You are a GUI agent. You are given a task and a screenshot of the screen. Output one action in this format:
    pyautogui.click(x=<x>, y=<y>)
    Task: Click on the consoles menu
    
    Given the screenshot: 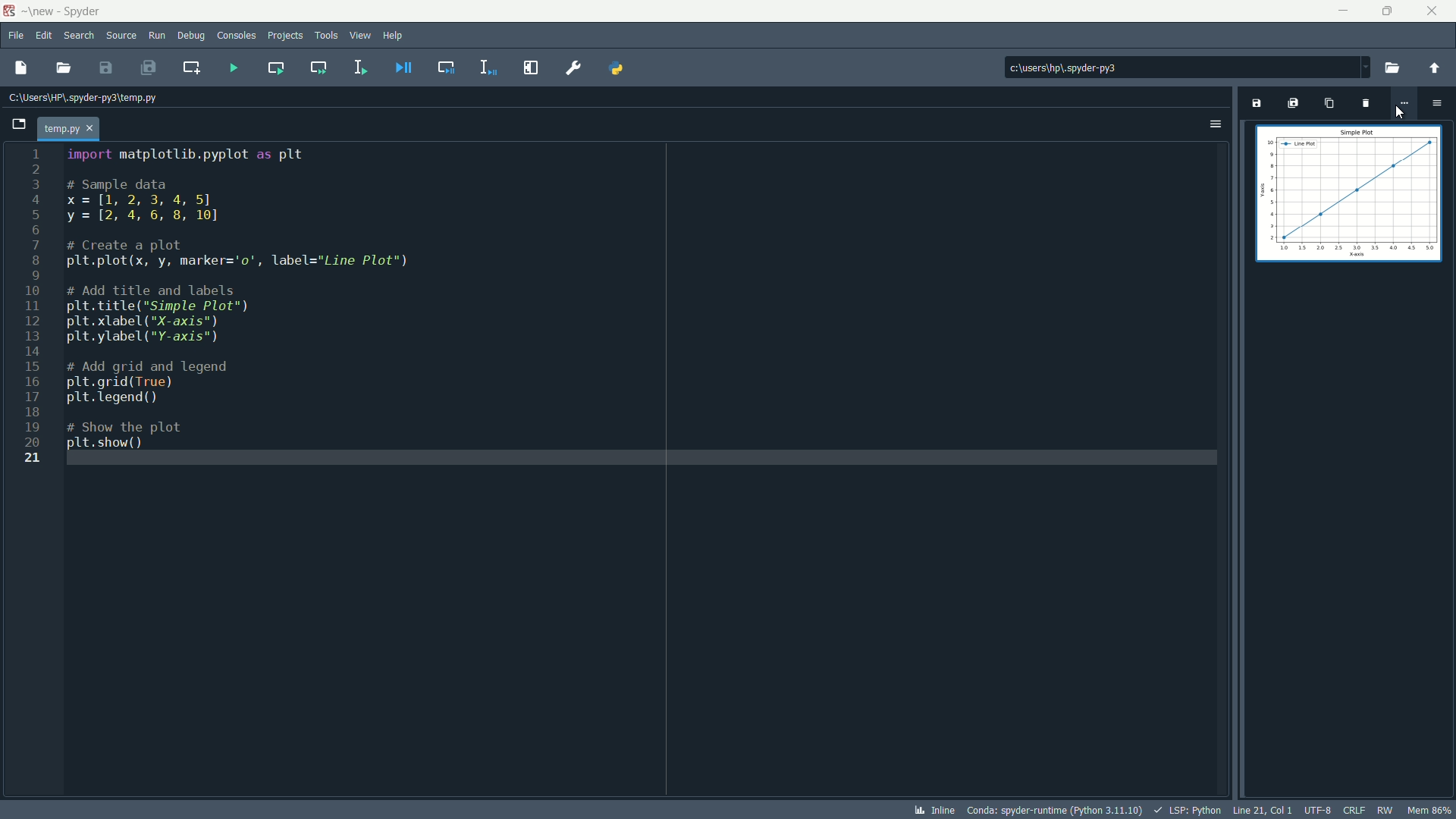 What is the action you would take?
    pyautogui.click(x=235, y=35)
    